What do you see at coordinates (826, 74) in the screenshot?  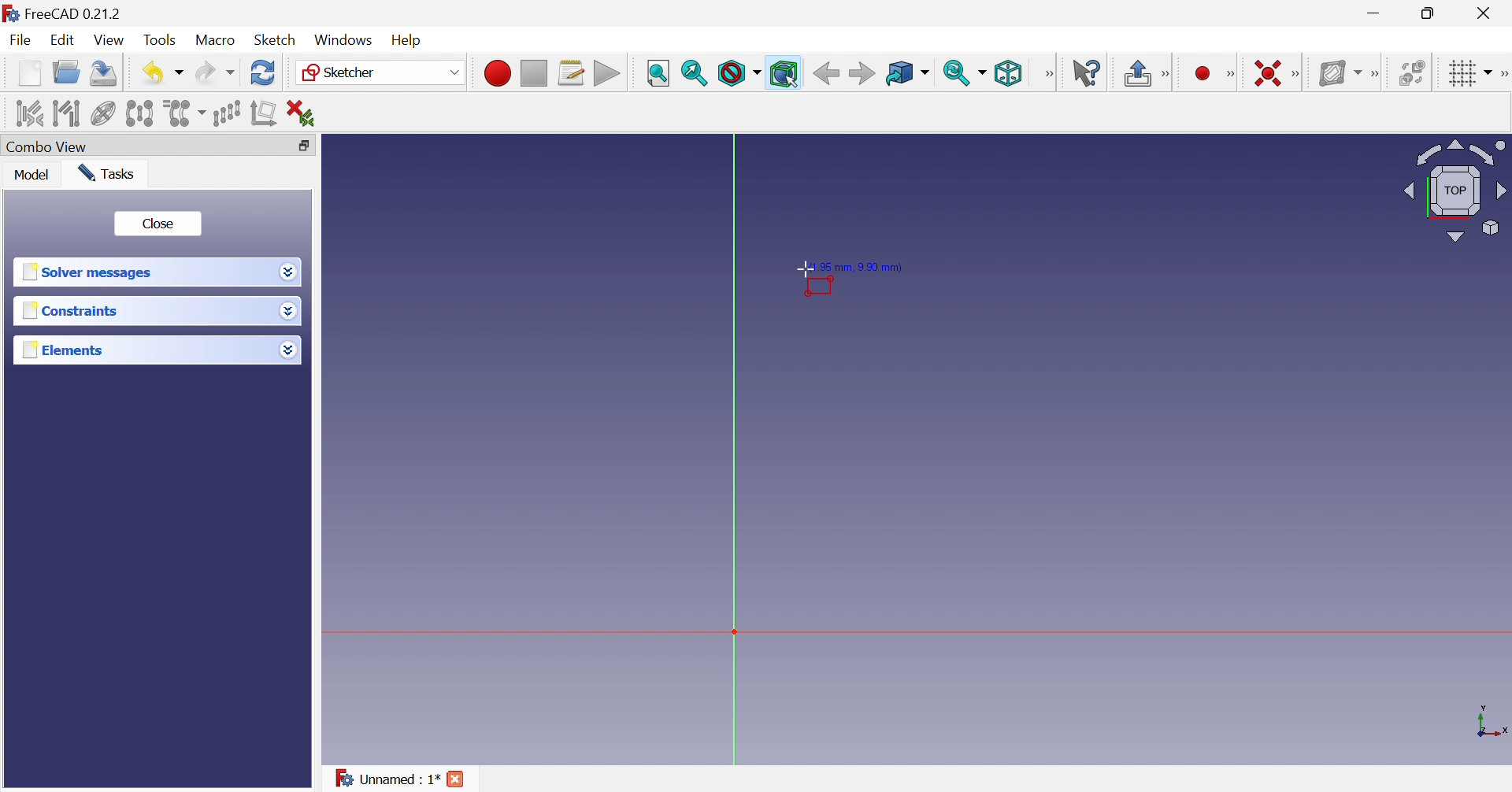 I see `Back` at bounding box center [826, 74].